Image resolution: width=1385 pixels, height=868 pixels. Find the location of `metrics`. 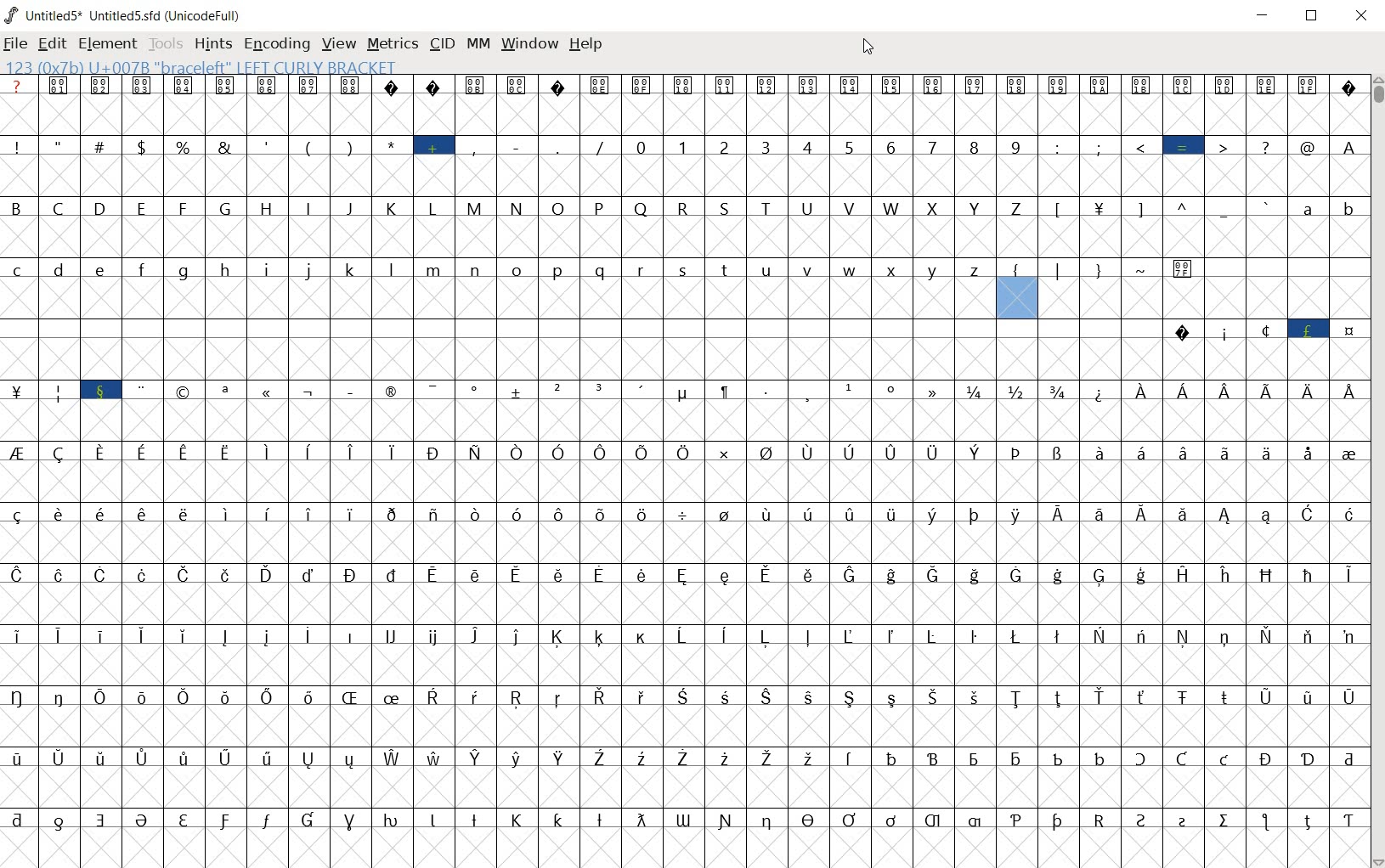

metrics is located at coordinates (392, 43).